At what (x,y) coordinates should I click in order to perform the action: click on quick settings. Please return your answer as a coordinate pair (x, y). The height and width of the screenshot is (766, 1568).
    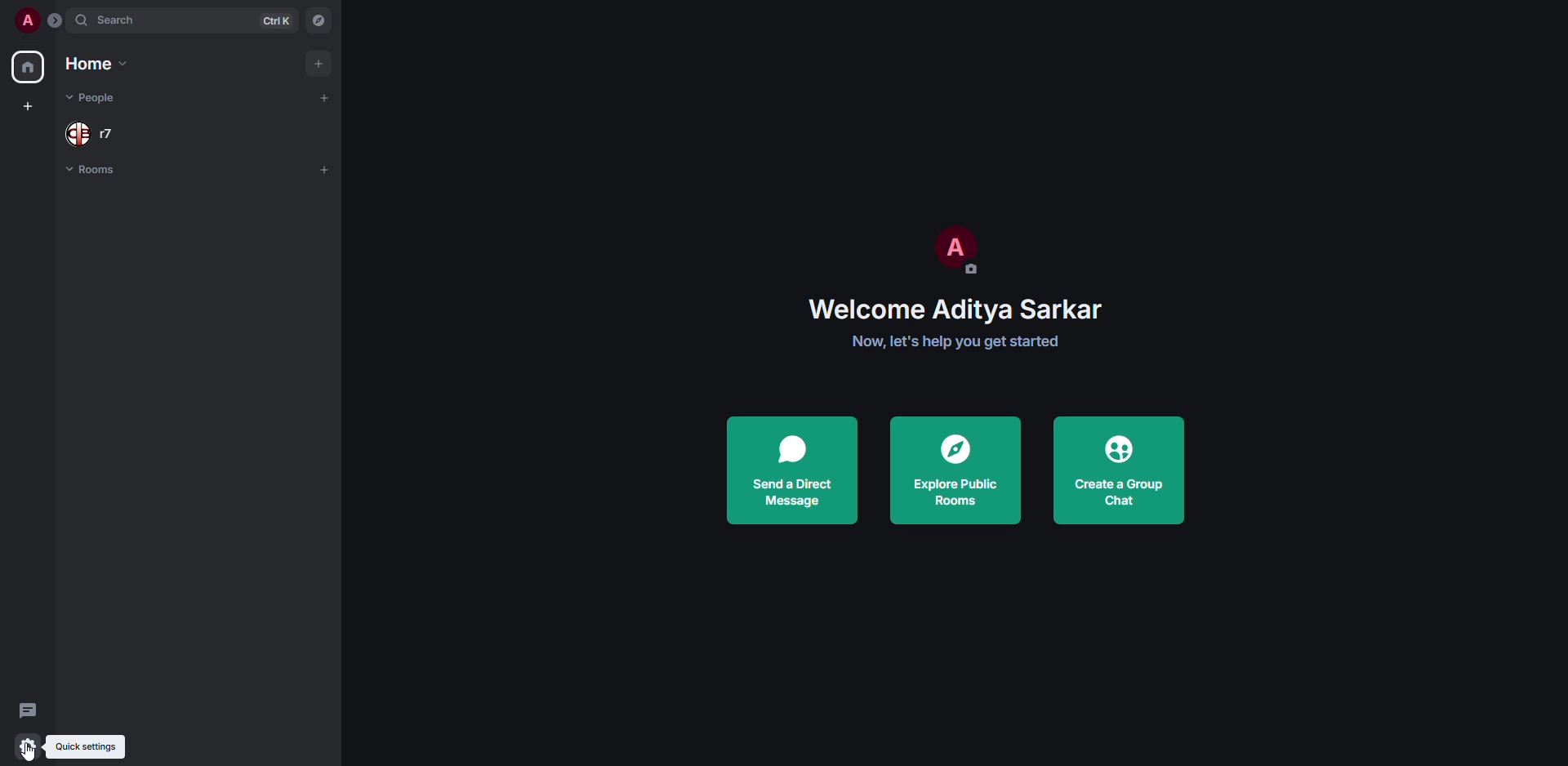
    Looking at the image, I should click on (25, 747).